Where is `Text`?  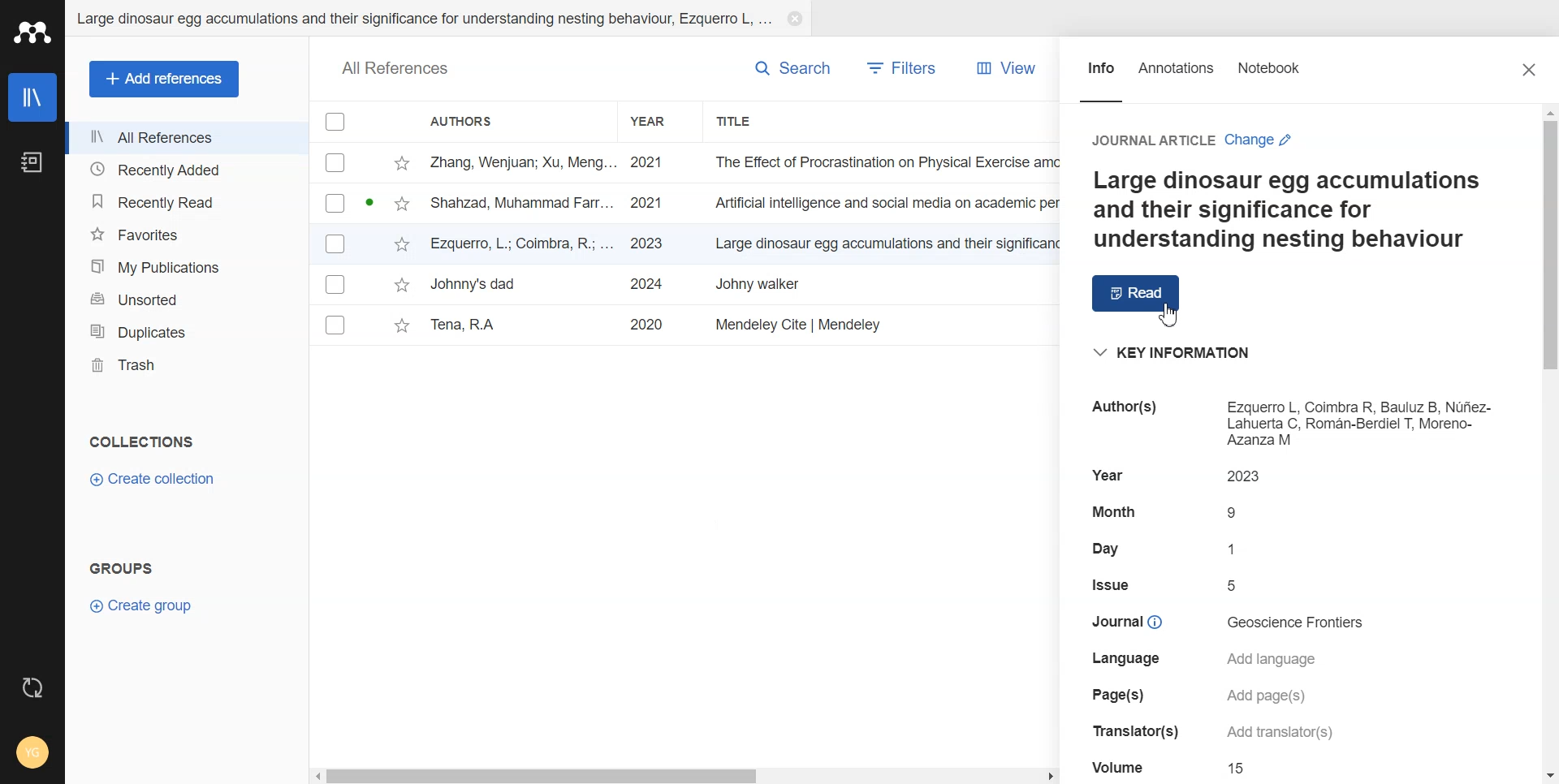
Text is located at coordinates (126, 566).